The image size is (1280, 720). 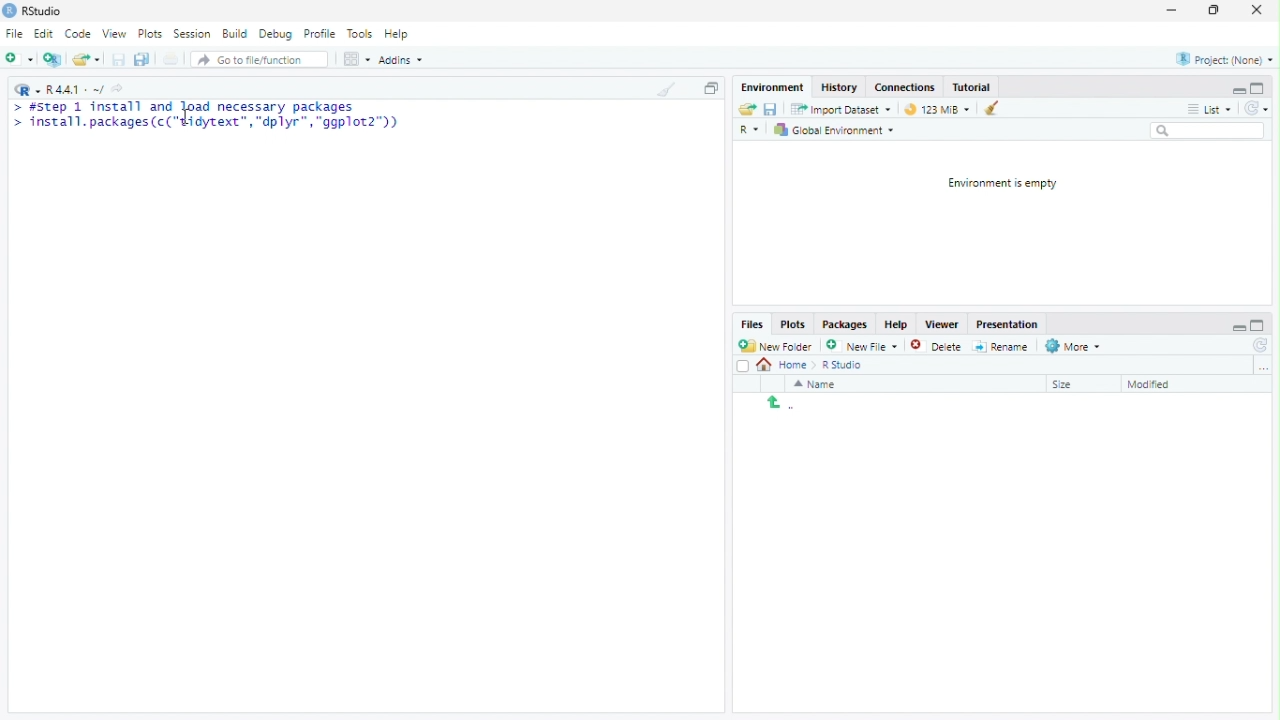 I want to click on Open, so click(x=85, y=59).